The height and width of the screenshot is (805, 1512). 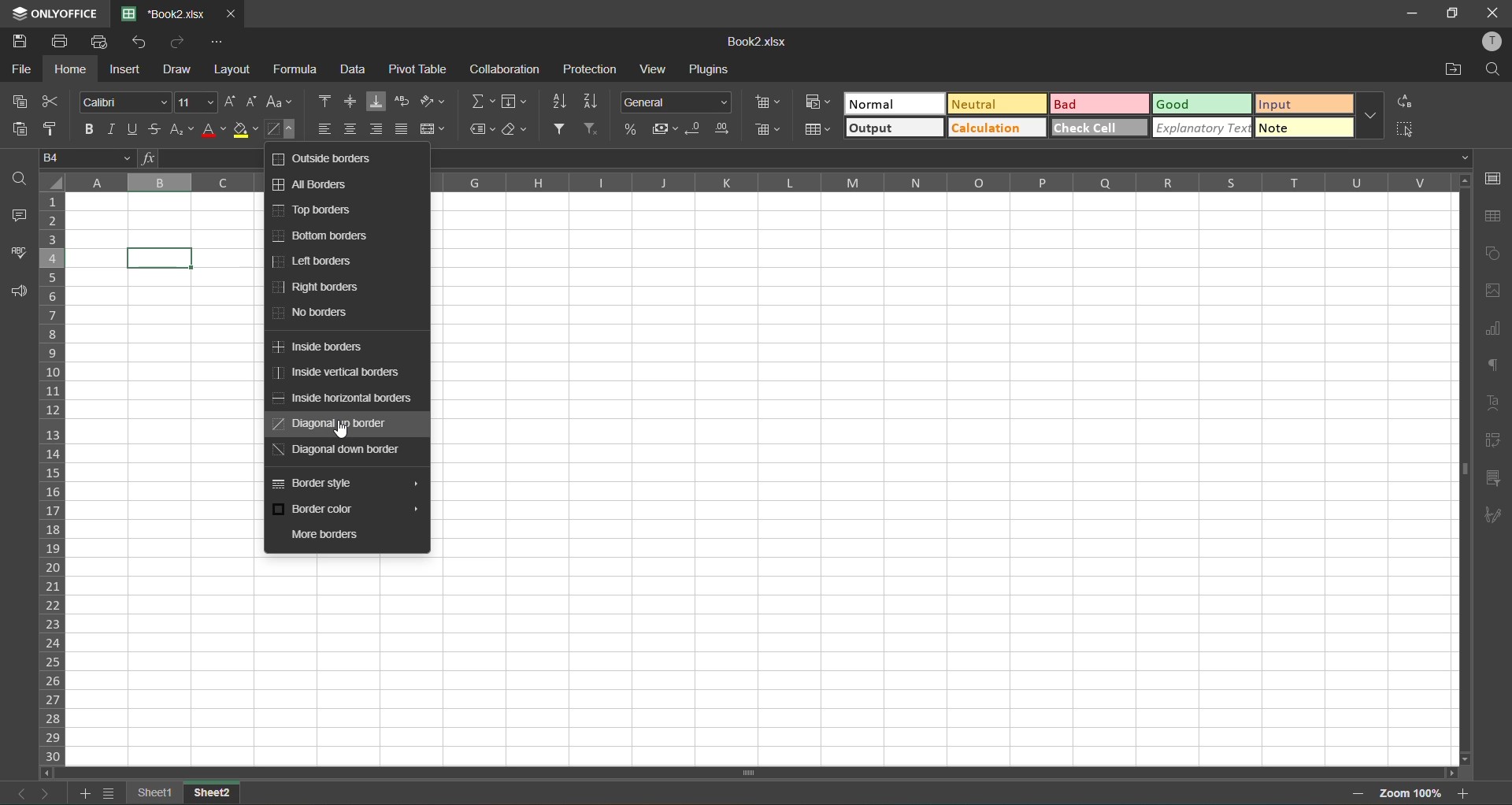 What do you see at coordinates (279, 128) in the screenshot?
I see `borders` at bounding box center [279, 128].